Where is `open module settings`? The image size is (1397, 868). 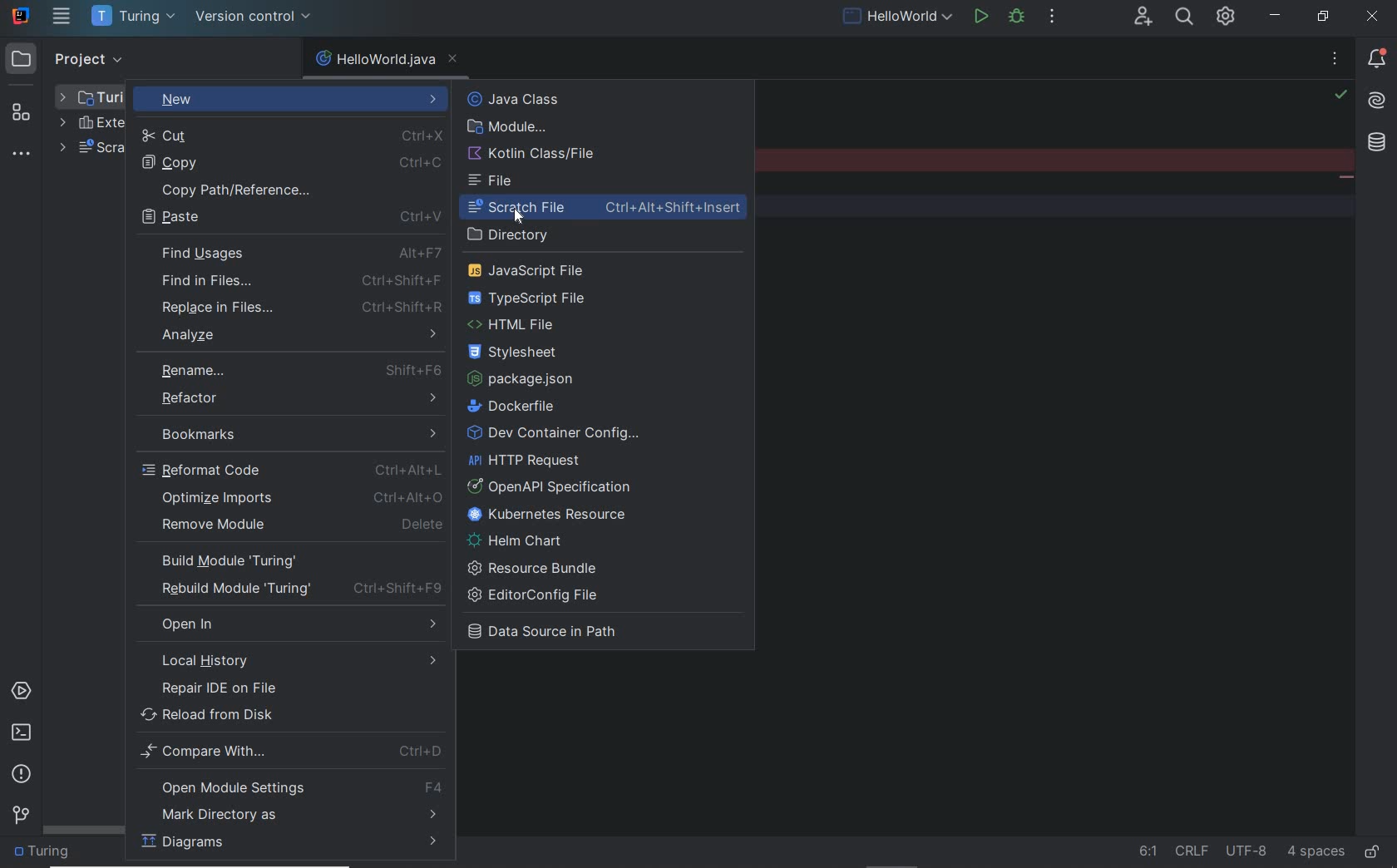
open module settings is located at coordinates (293, 787).